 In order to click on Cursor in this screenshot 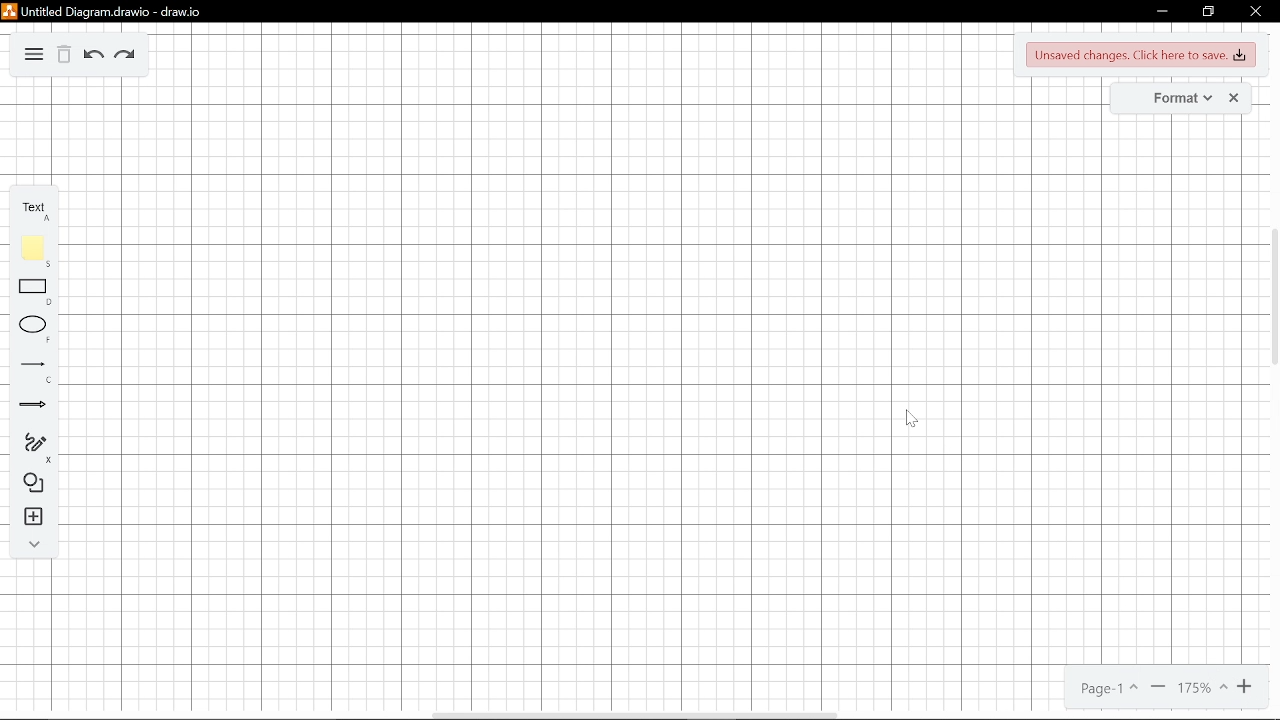, I will do `click(912, 419)`.